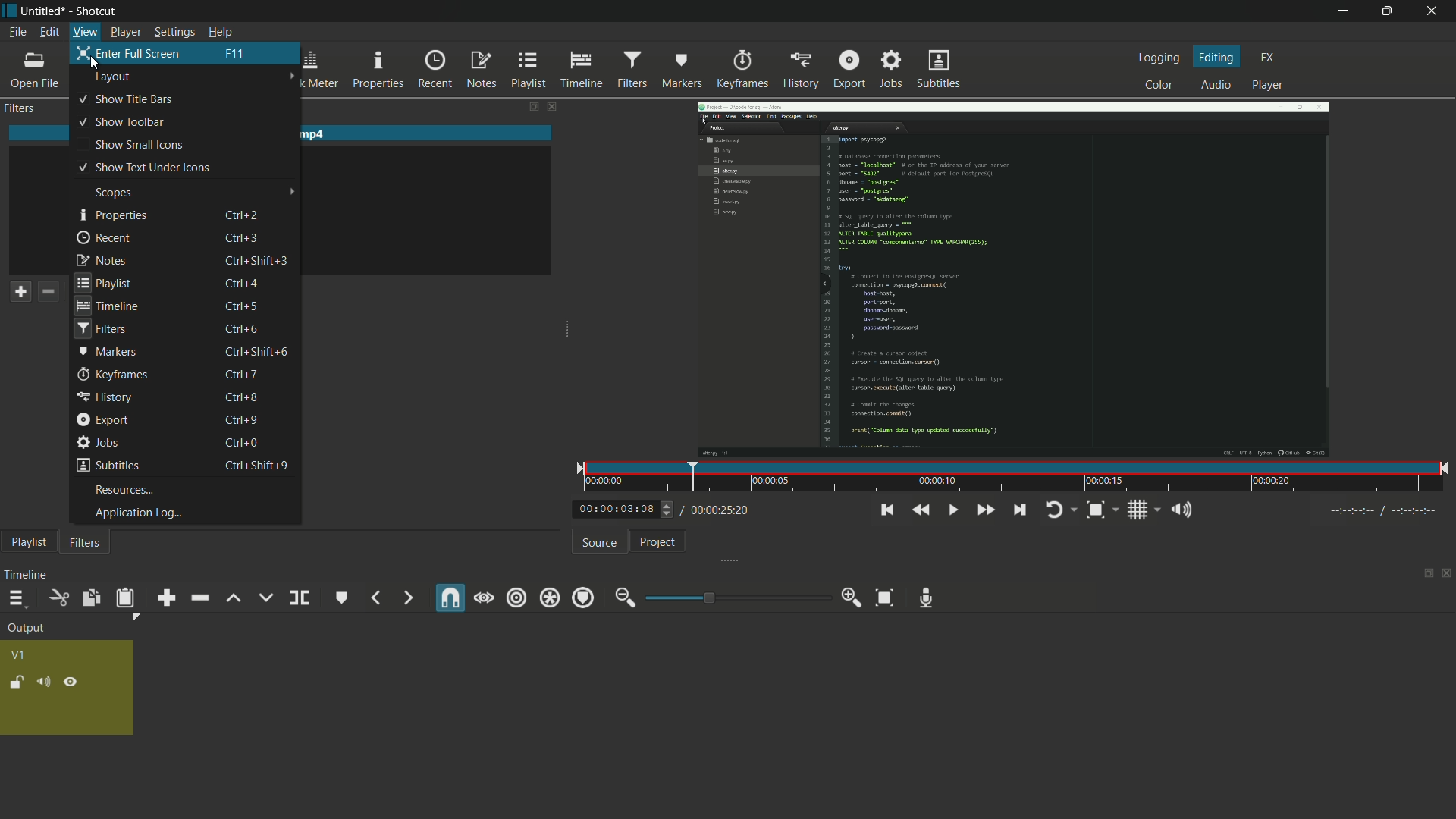  What do you see at coordinates (849, 598) in the screenshot?
I see `zoom in` at bounding box center [849, 598].